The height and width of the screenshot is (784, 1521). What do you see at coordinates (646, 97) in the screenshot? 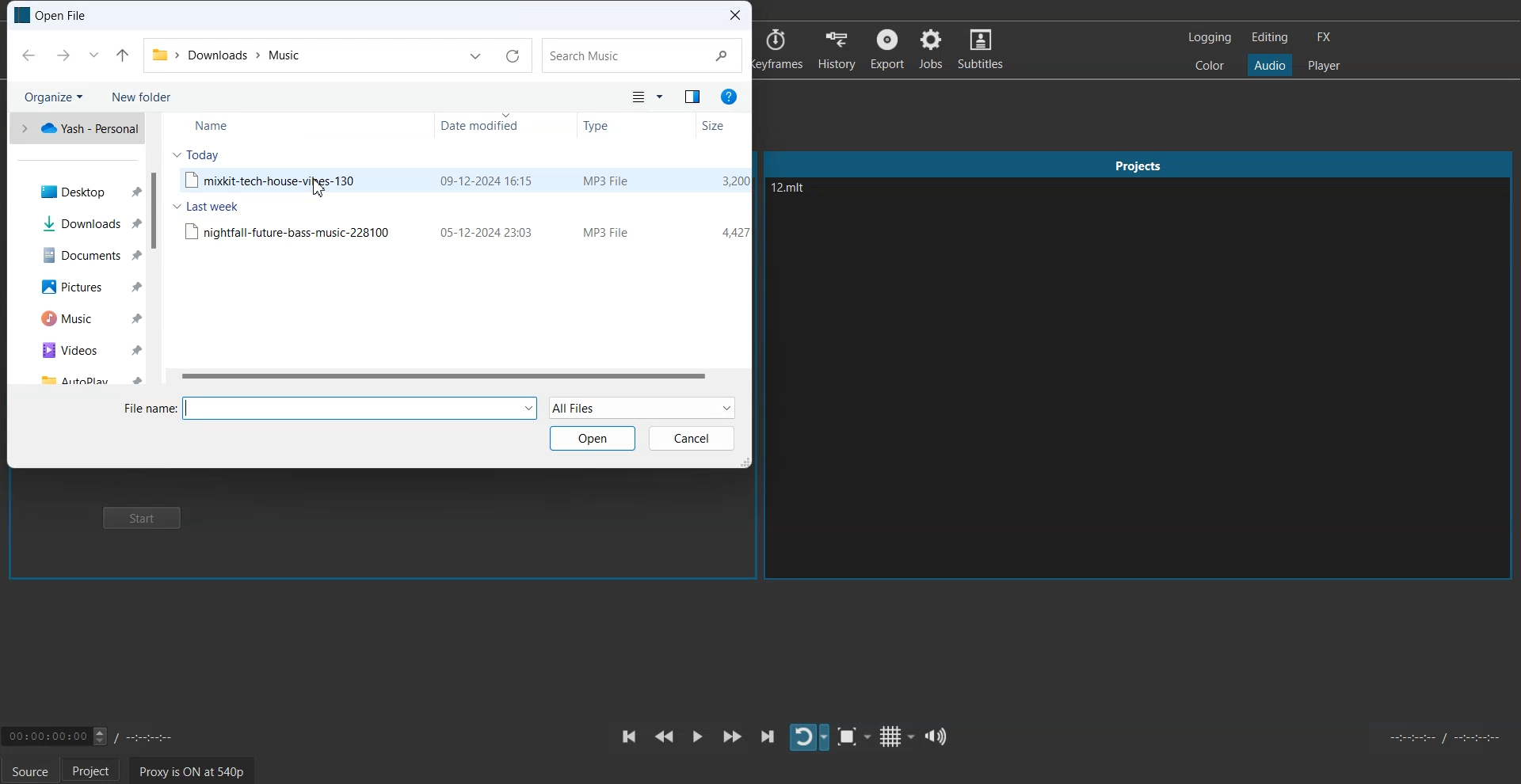
I see `Folder View mode` at bounding box center [646, 97].